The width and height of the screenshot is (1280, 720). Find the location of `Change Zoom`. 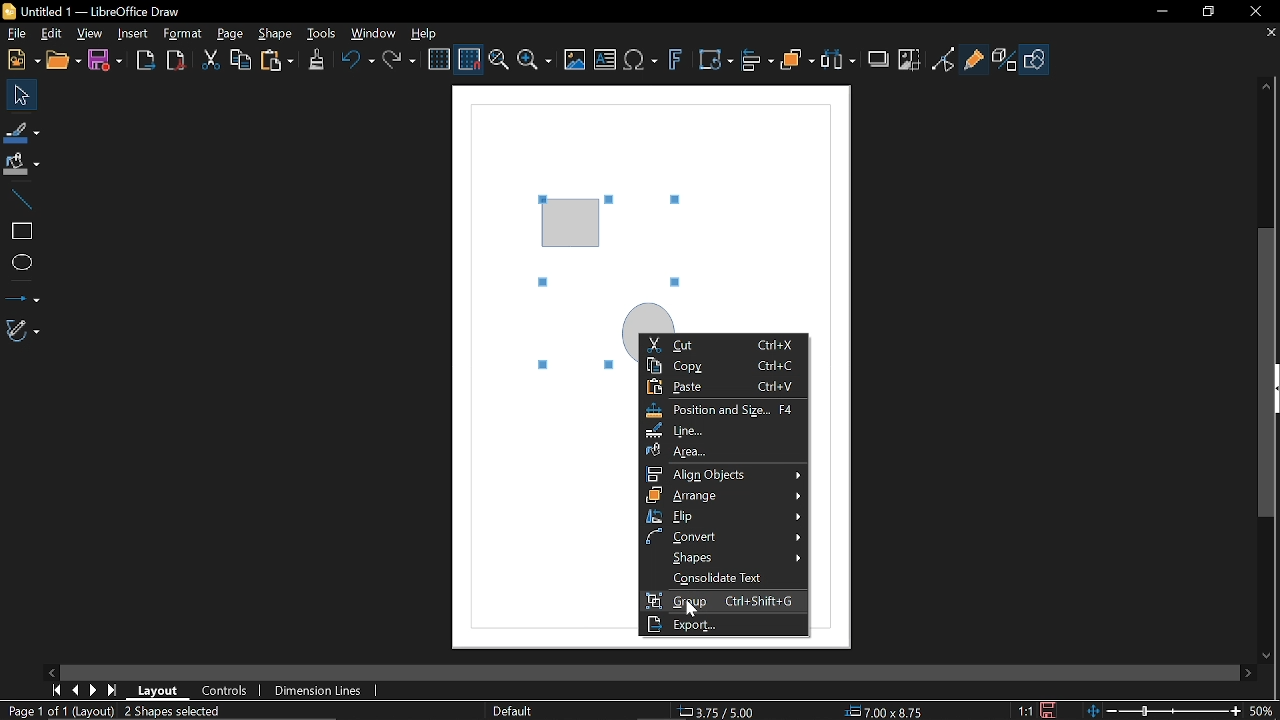

Change Zoom is located at coordinates (1166, 712).